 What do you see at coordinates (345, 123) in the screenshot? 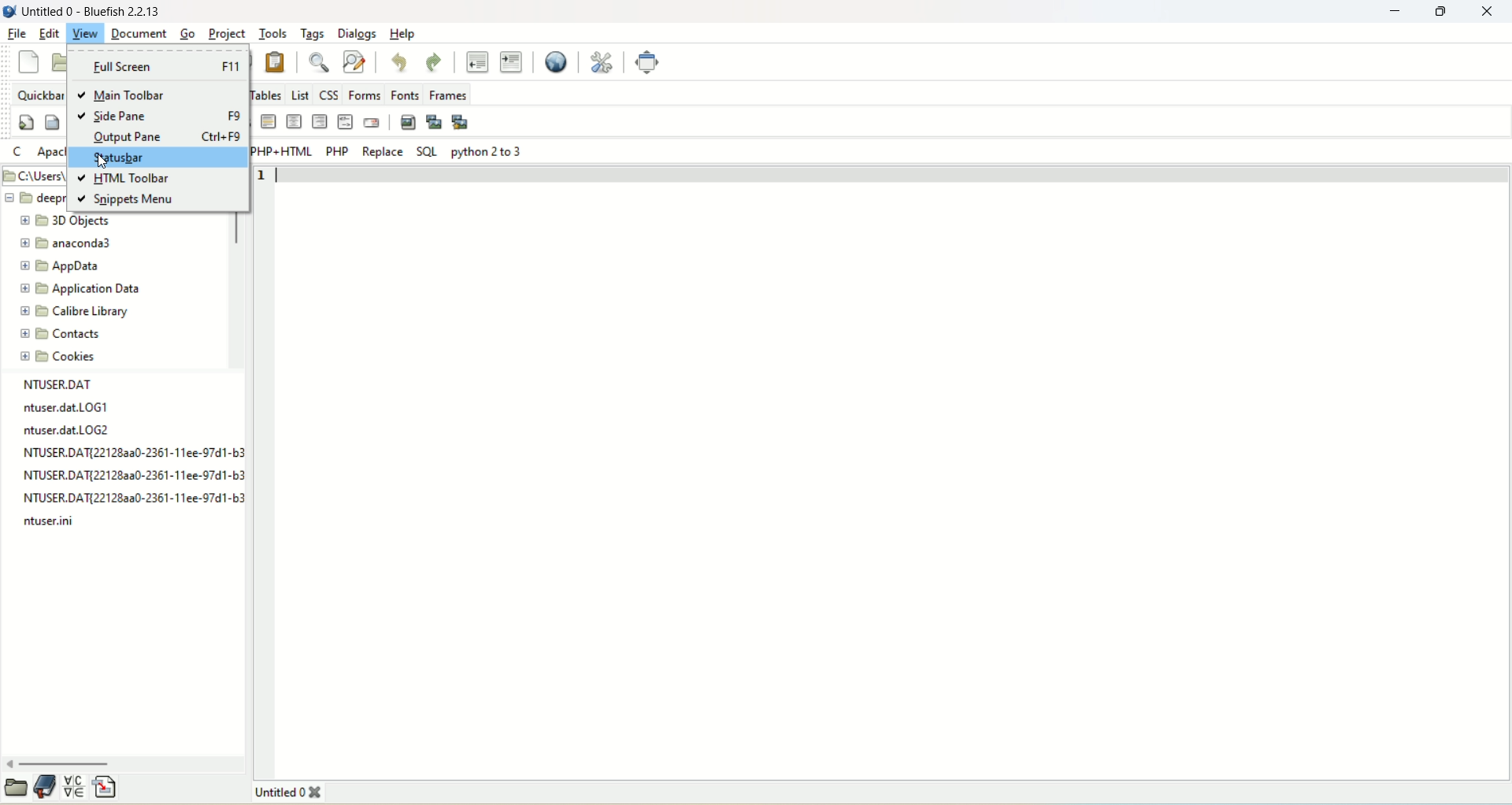
I see `HTML comment` at bounding box center [345, 123].